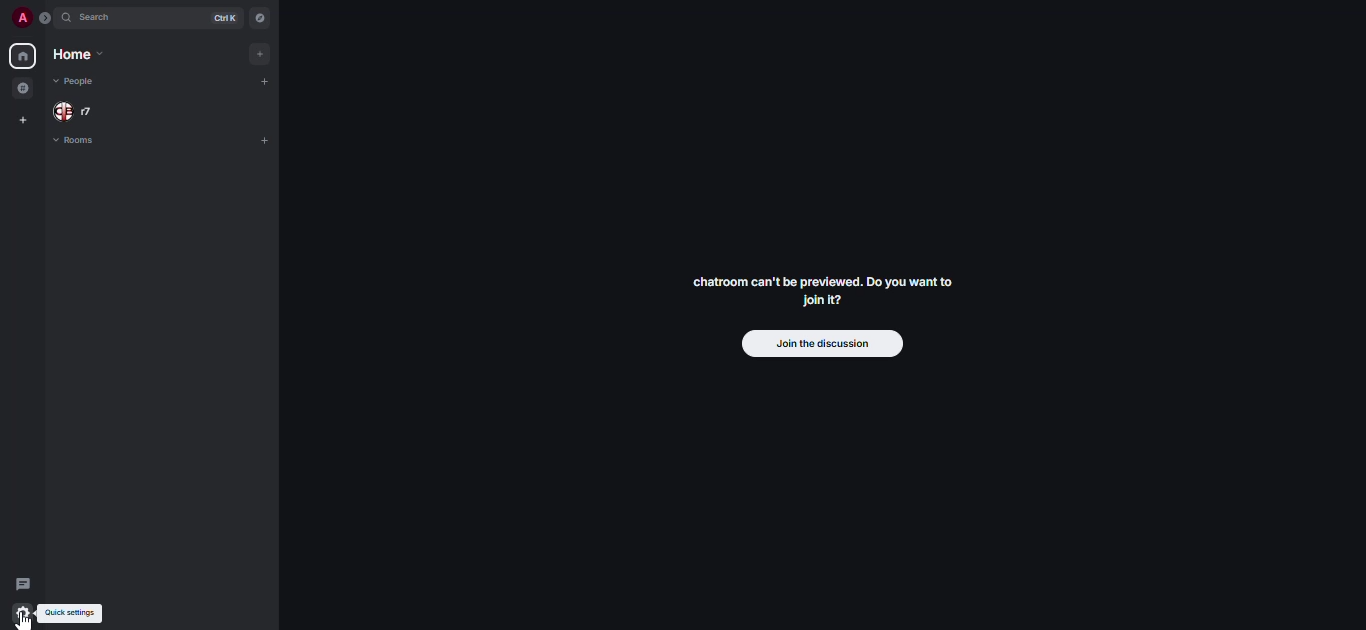 Image resolution: width=1366 pixels, height=630 pixels. Describe the element at coordinates (221, 18) in the screenshot. I see `ctrl K` at that location.